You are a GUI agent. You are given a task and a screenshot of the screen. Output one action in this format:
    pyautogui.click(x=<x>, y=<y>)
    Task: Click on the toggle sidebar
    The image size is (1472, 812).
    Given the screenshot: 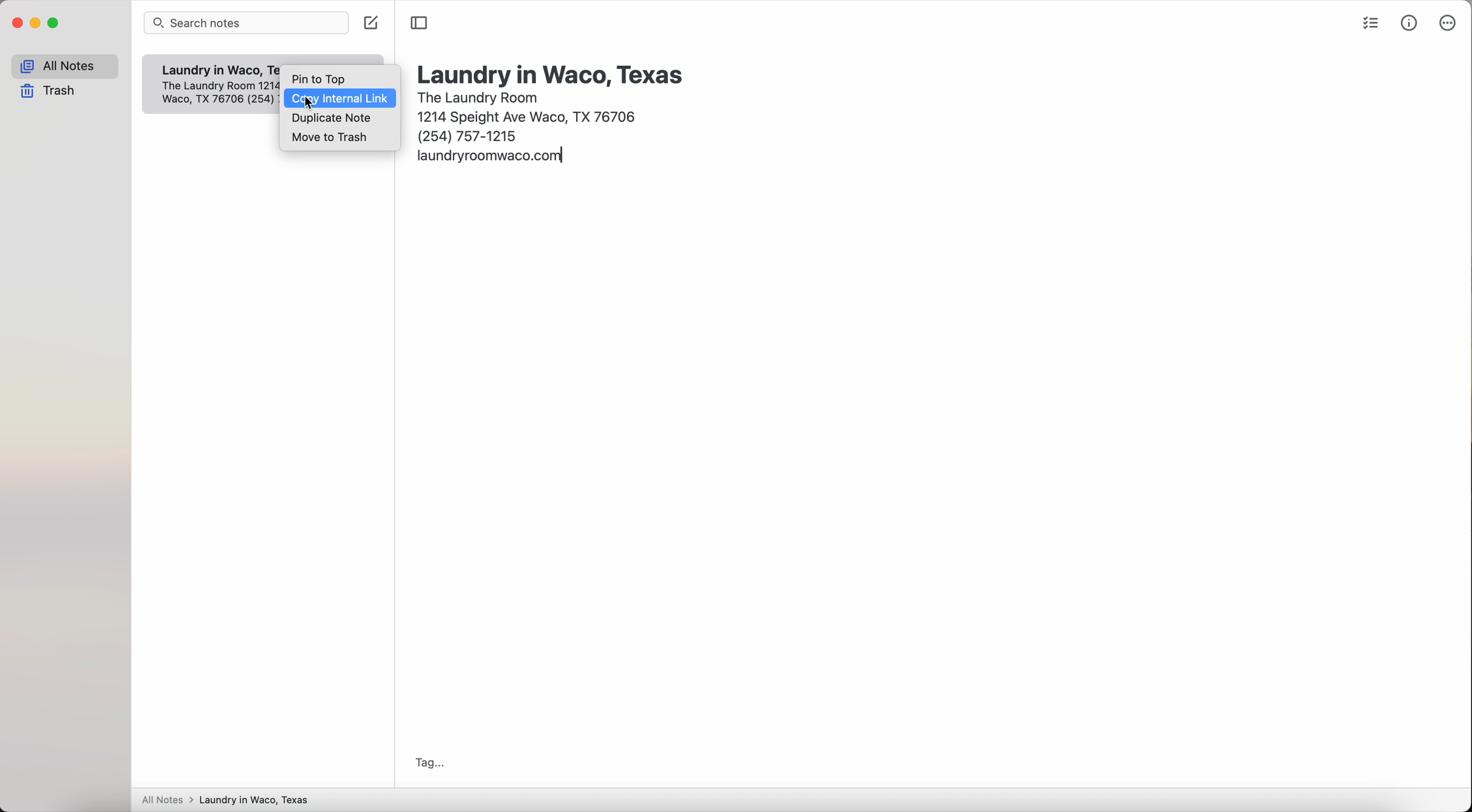 What is the action you would take?
    pyautogui.click(x=419, y=23)
    